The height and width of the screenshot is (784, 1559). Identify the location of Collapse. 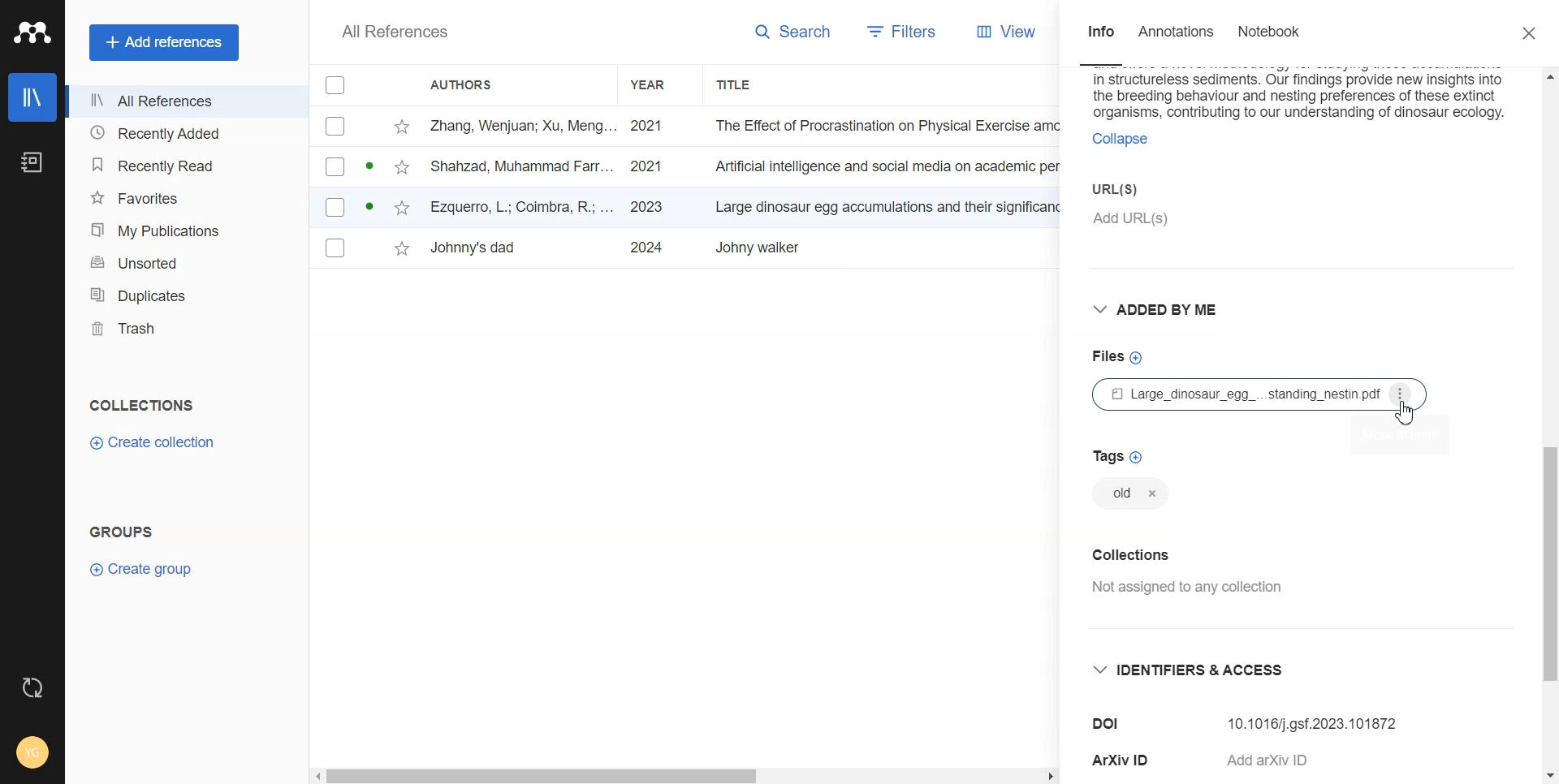
(1118, 139).